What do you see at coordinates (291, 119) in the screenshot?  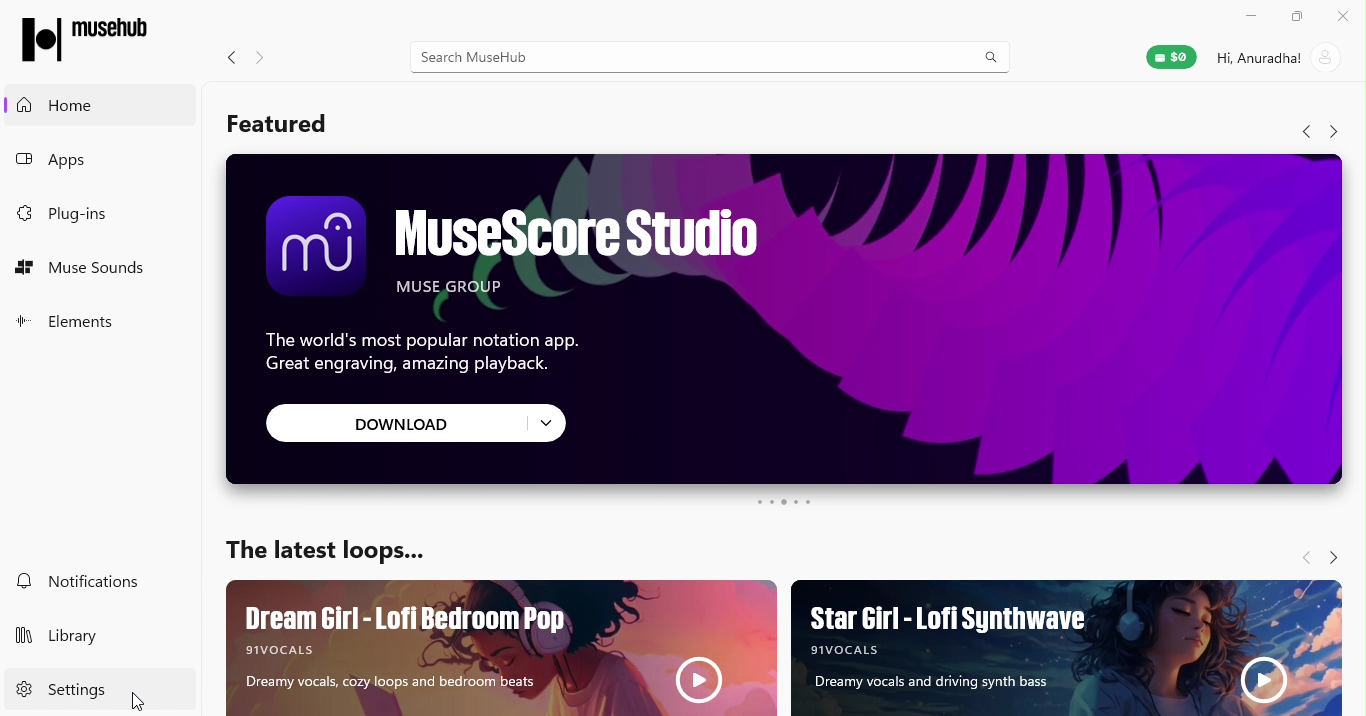 I see `Featured` at bounding box center [291, 119].